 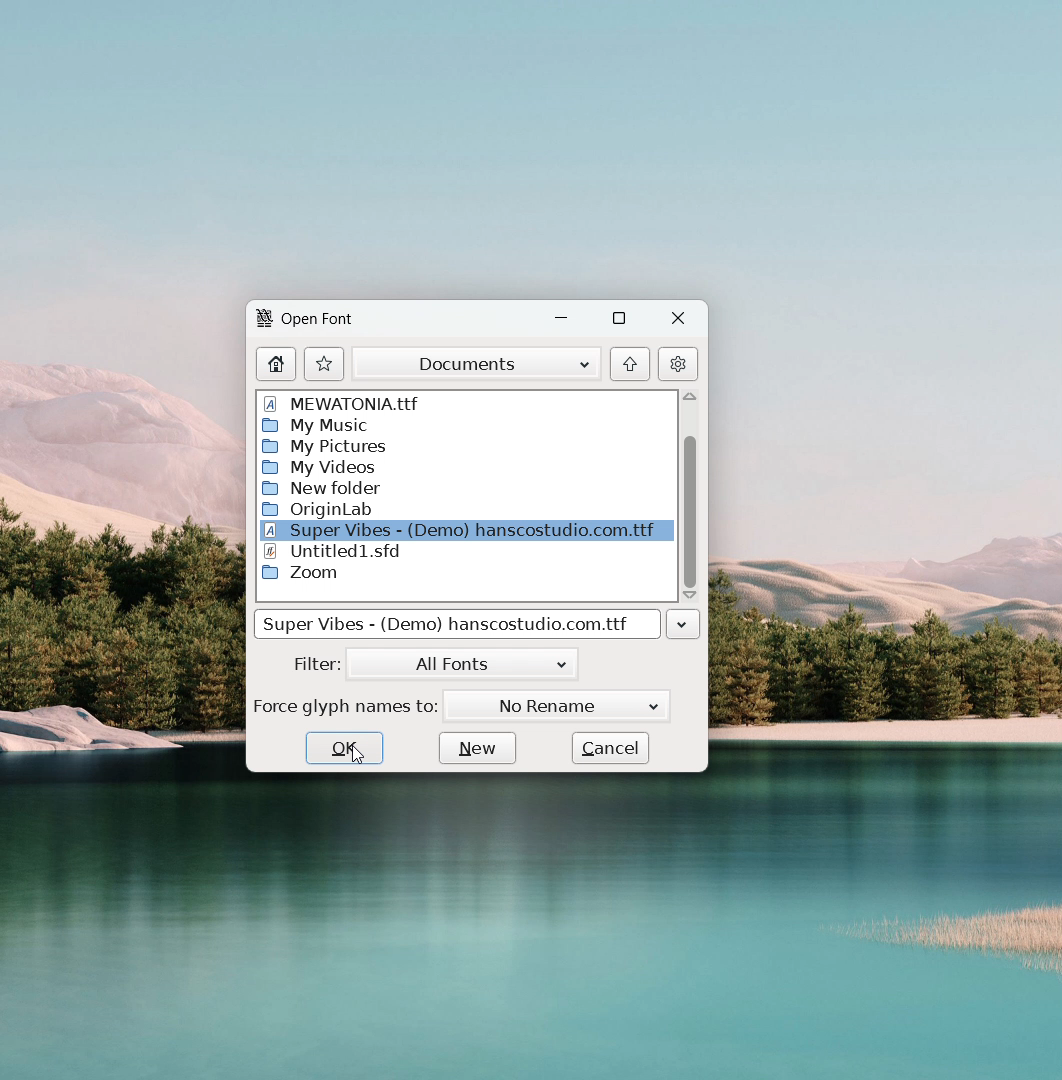 What do you see at coordinates (691, 596) in the screenshot?
I see `scroll down` at bounding box center [691, 596].